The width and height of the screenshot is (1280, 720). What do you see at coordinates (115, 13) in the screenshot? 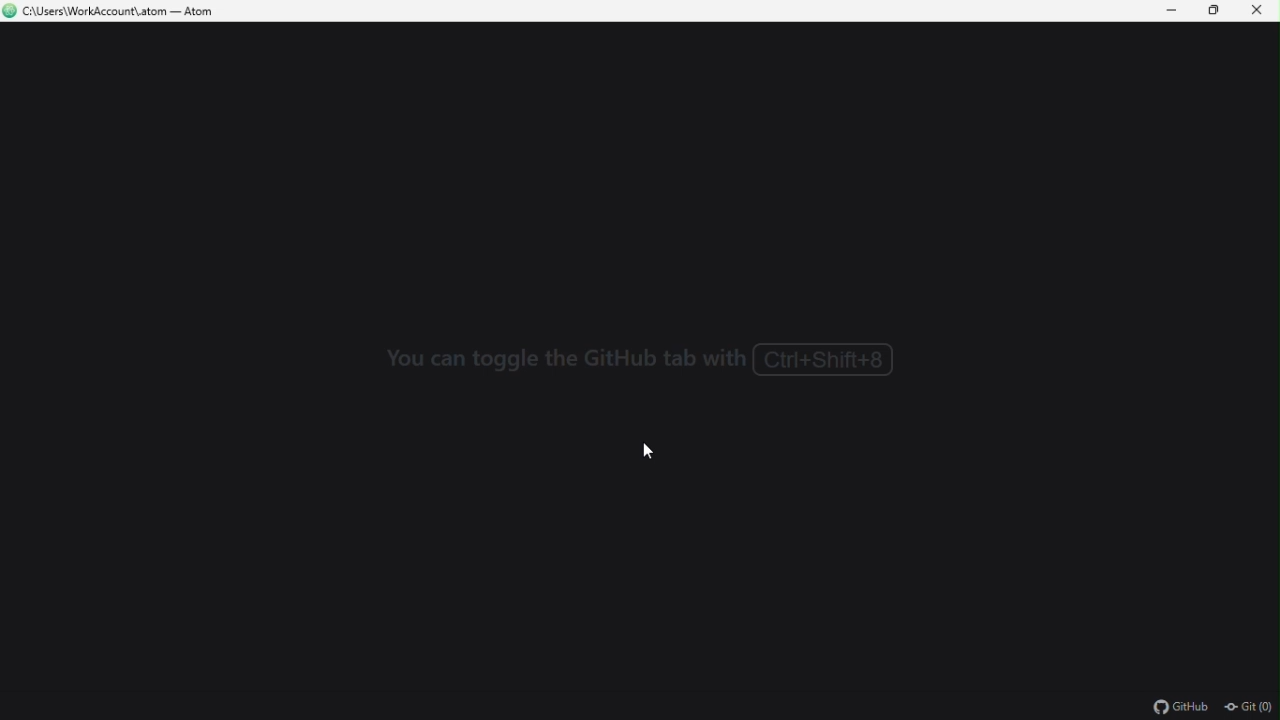
I see `file name and file path` at bounding box center [115, 13].